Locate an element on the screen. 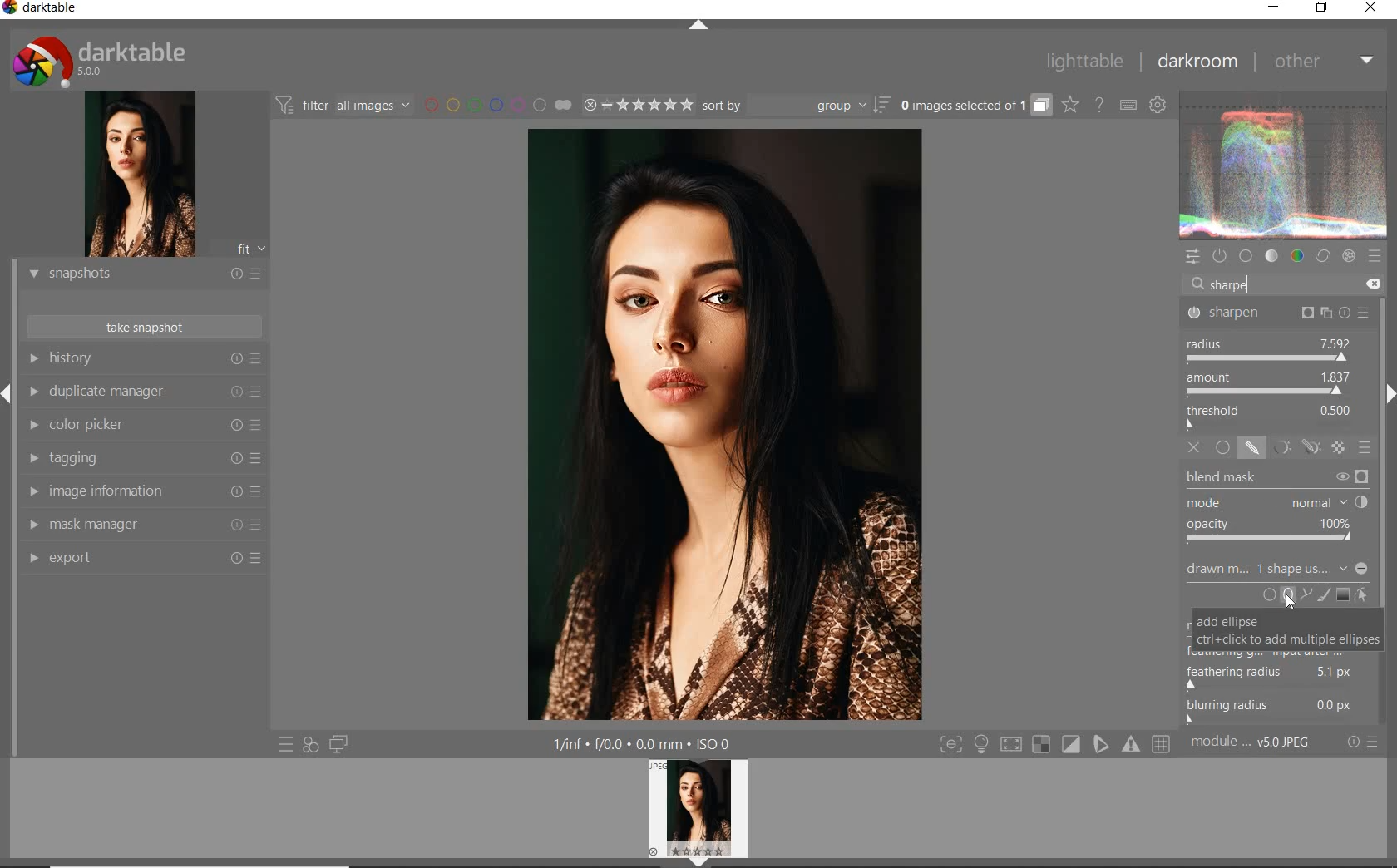 This screenshot has width=1397, height=868. quick access for applying any of your styles is located at coordinates (309, 746).